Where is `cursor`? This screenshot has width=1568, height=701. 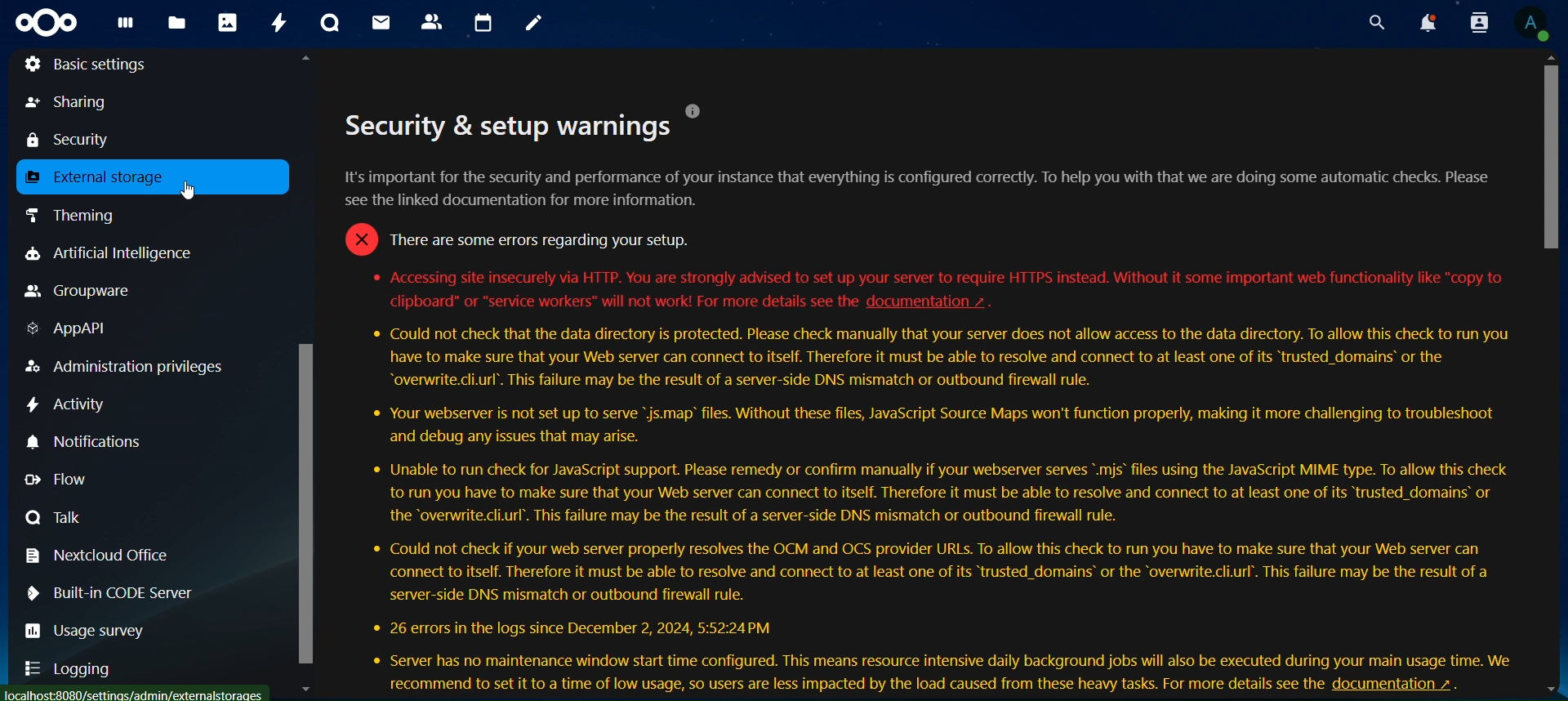
cursor is located at coordinates (191, 194).